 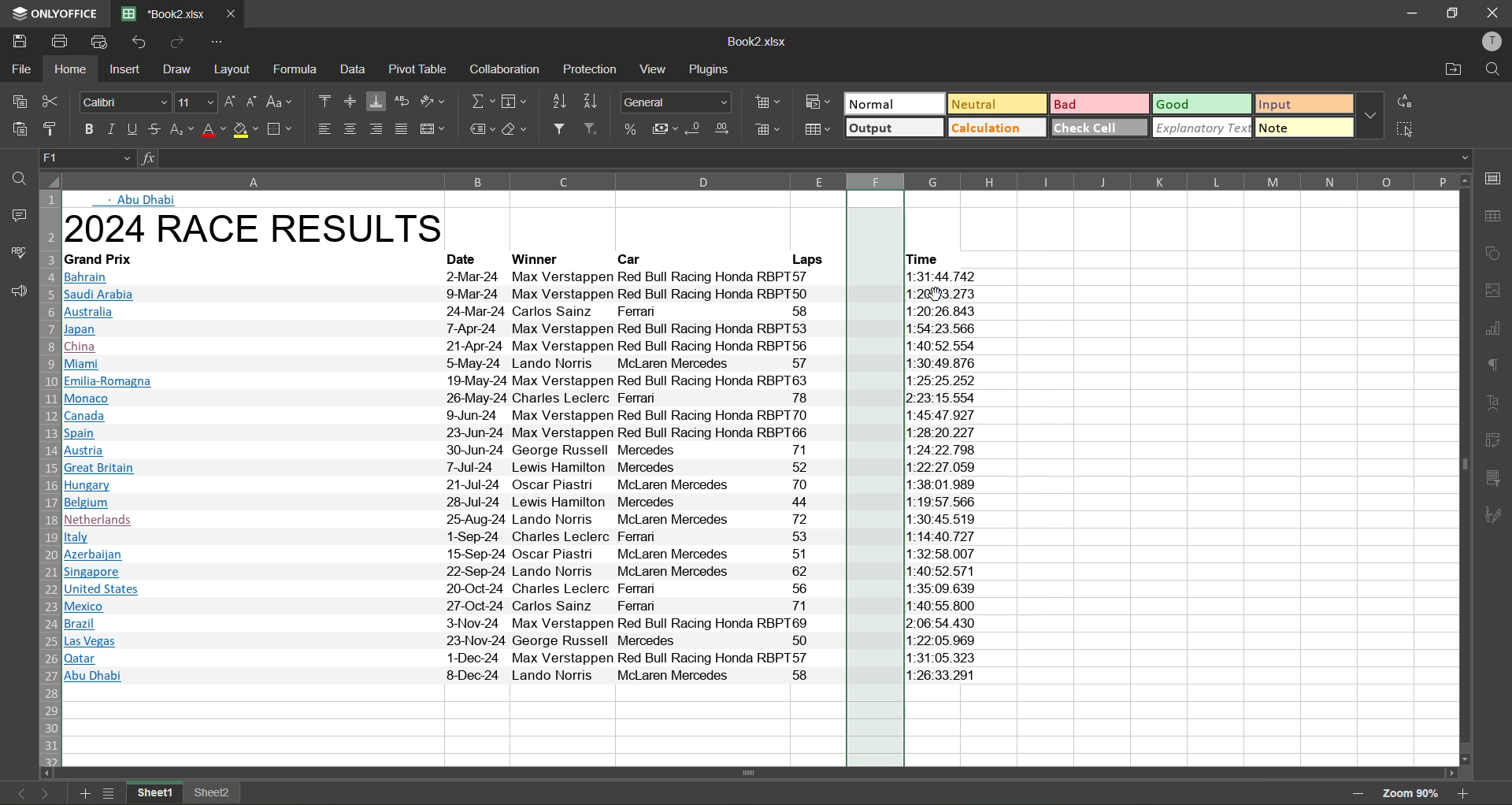 I want to click on Japan T7-Apr-24 Max Verstappen Red Bull Racing Honda RBPT53 1:54:23.566, so click(x=447, y=329).